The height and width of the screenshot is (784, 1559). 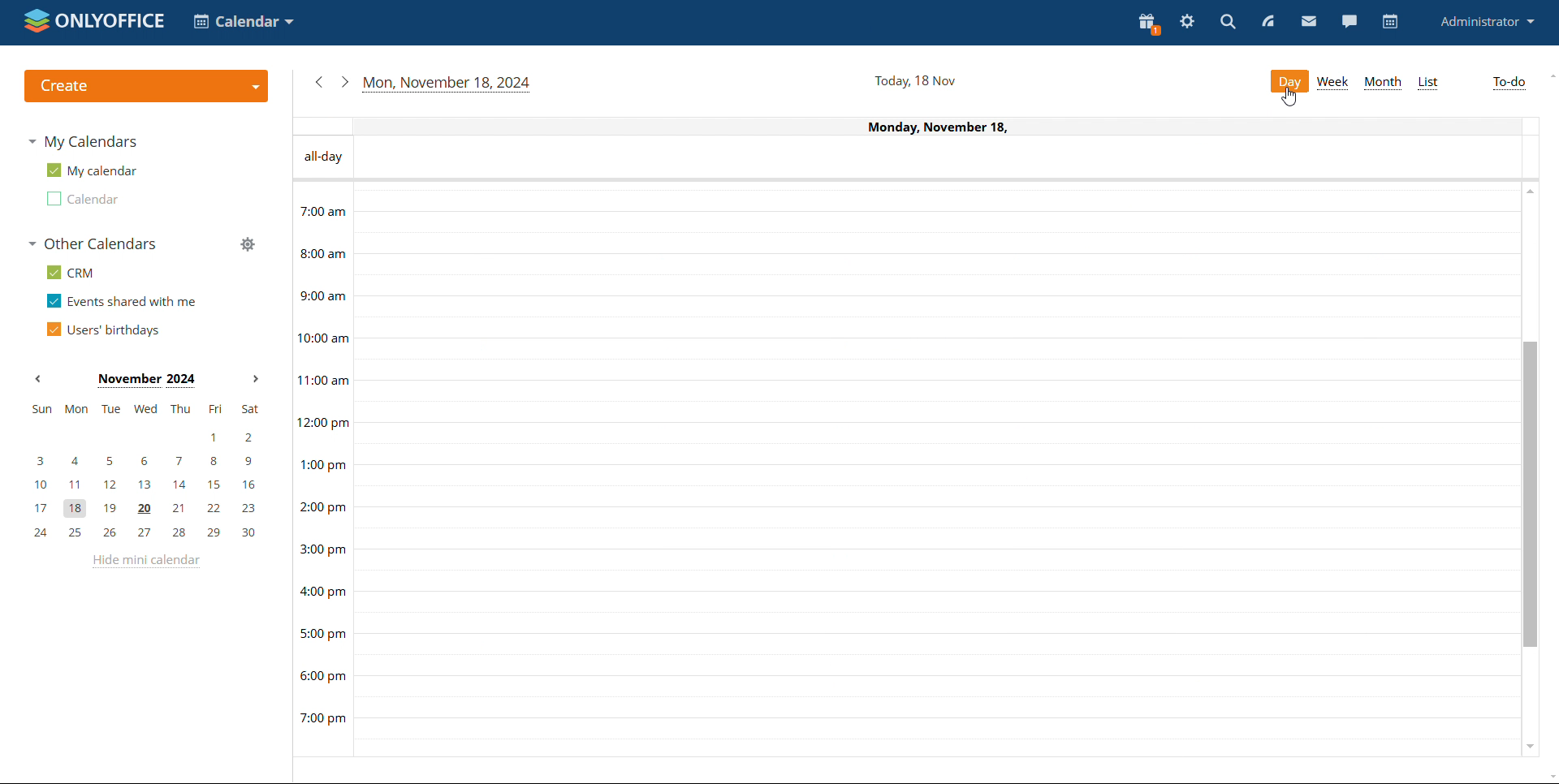 What do you see at coordinates (945, 157) in the screenshot?
I see `space for all-day events` at bounding box center [945, 157].